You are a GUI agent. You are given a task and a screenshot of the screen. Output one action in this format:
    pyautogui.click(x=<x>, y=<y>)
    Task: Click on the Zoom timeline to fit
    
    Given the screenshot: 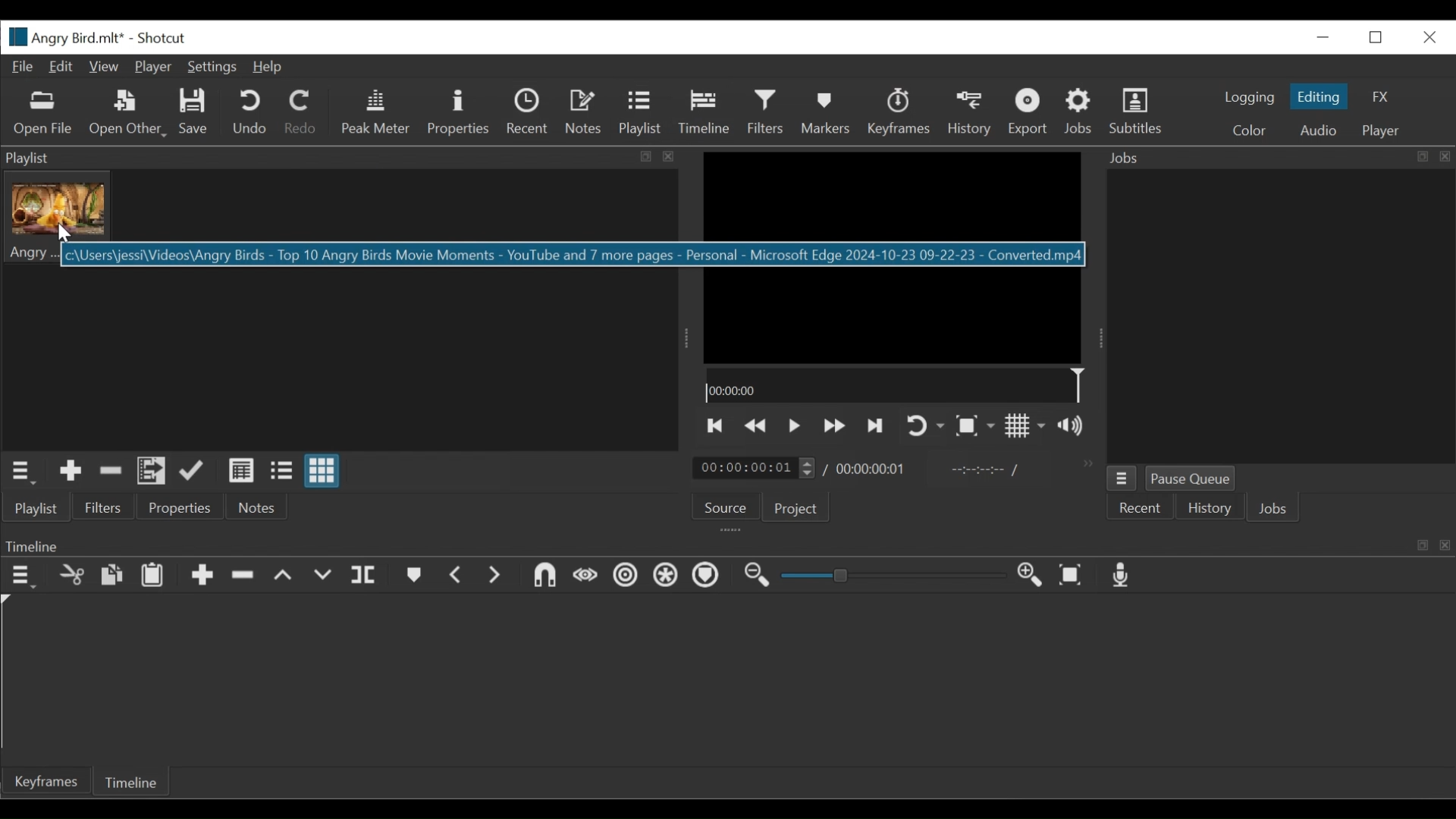 What is the action you would take?
    pyautogui.click(x=1072, y=576)
    